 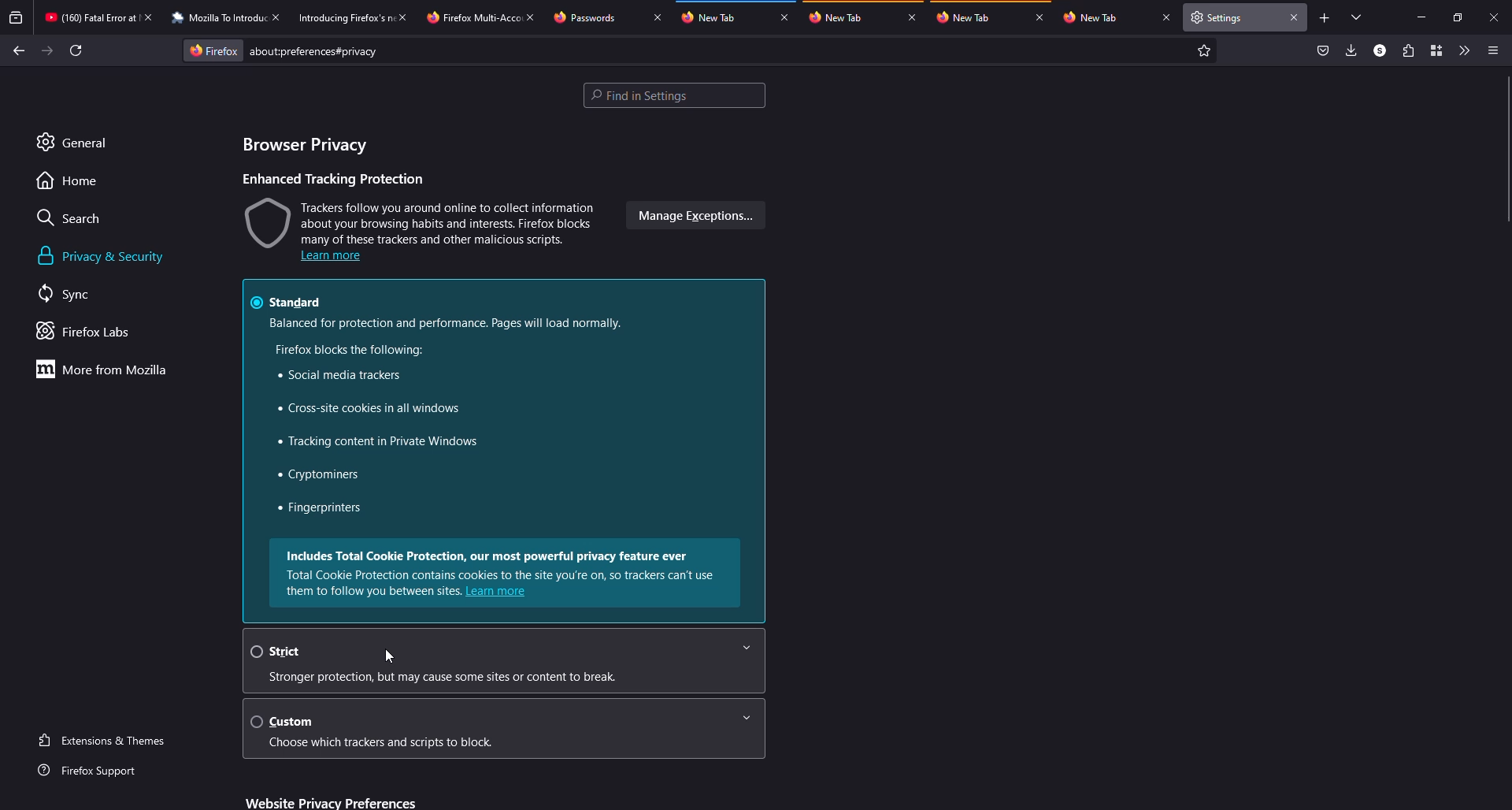 What do you see at coordinates (1325, 18) in the screenshot?
I see `add tab` at bounding box center [1325, 18].